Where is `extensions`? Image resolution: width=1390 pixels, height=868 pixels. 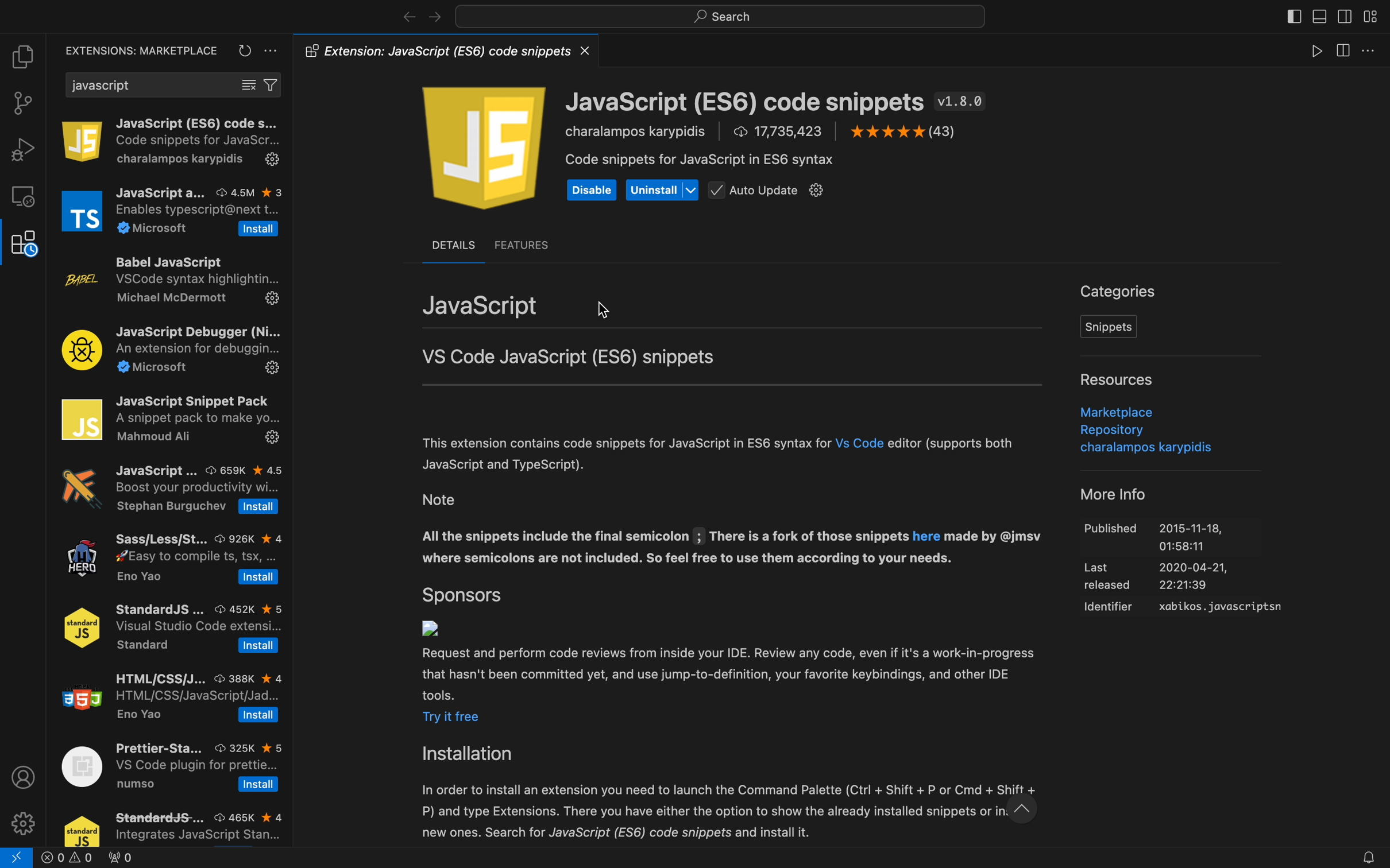
extensions is located at coordinates (136, 51).